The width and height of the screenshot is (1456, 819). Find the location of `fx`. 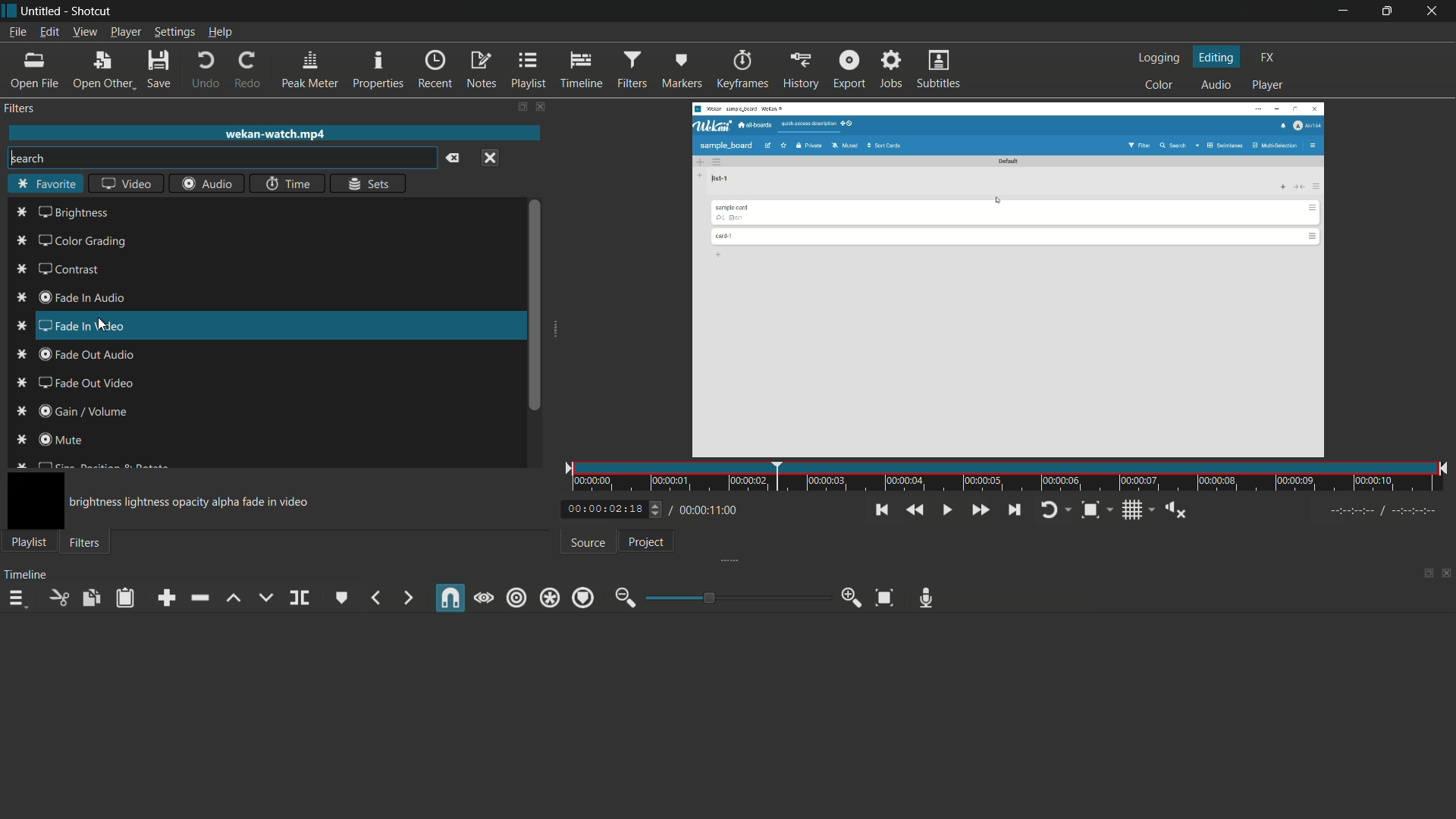

fx is located at coordinates (1269, 58).